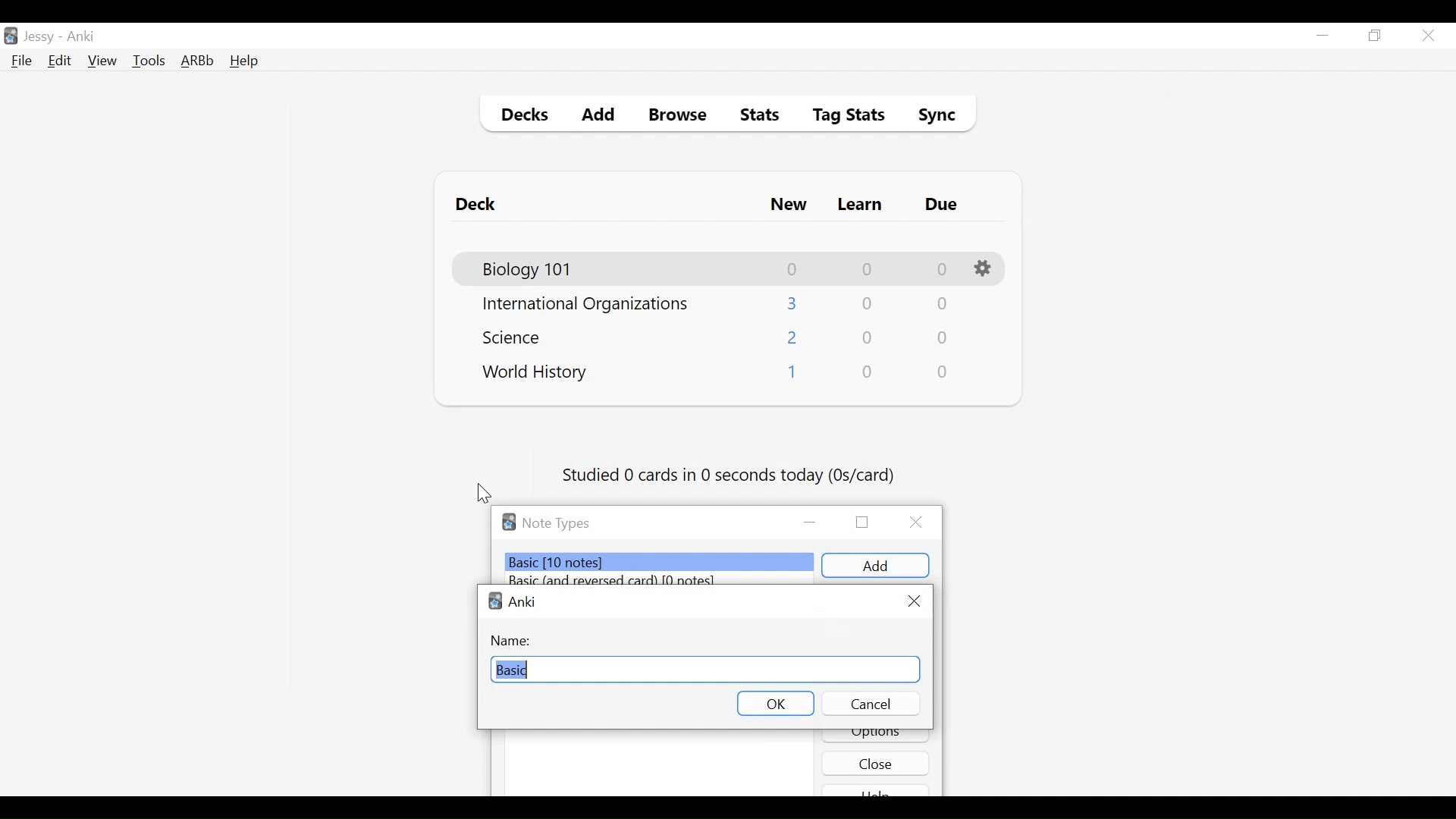 The width and height of the screenshot is (1456, 819). Describe the element at coordinates (866, 304) in the screenshot. I see `Learn Card Count` at that location.